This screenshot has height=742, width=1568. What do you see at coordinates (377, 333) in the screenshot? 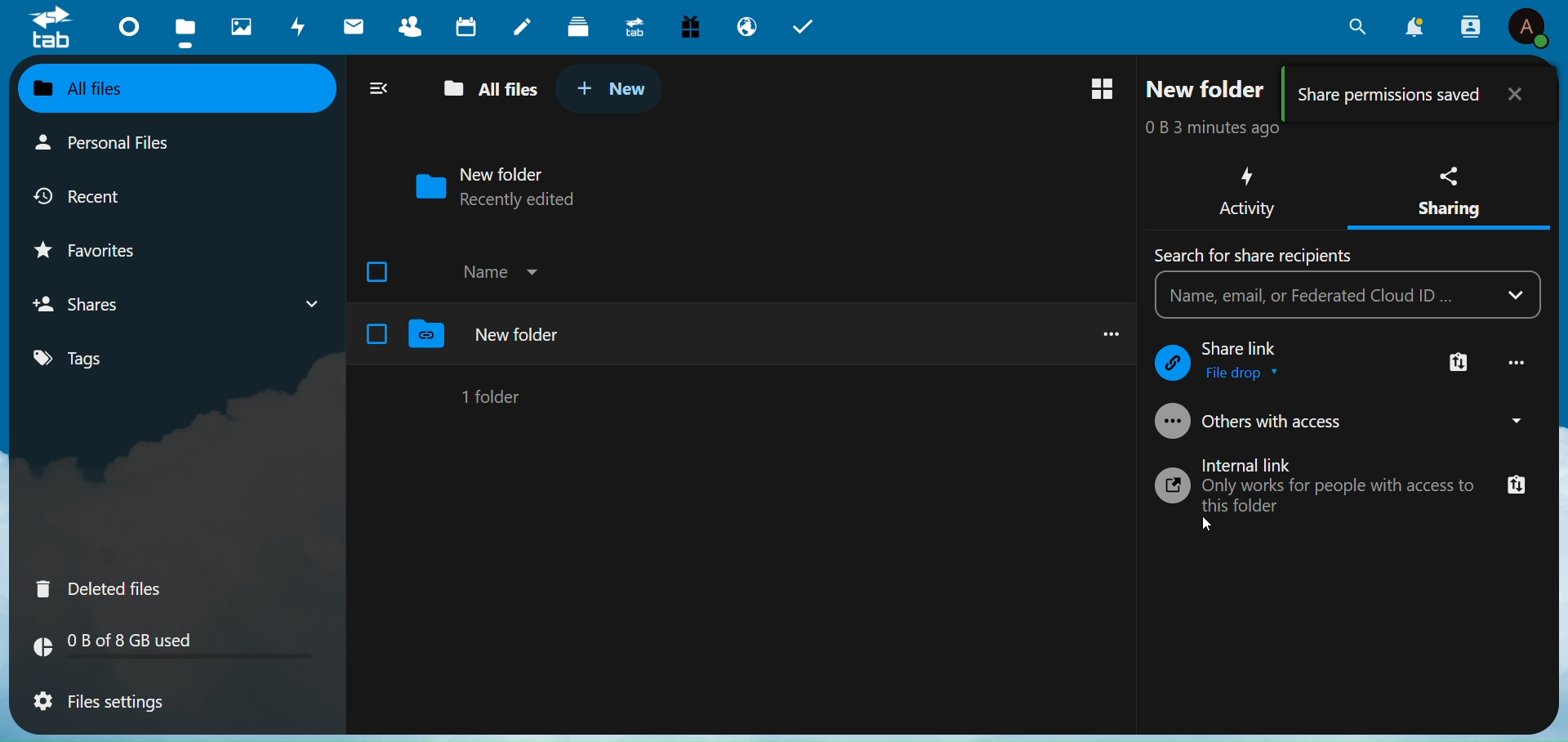
I see `Check Box` at bounding box center [377, 333].